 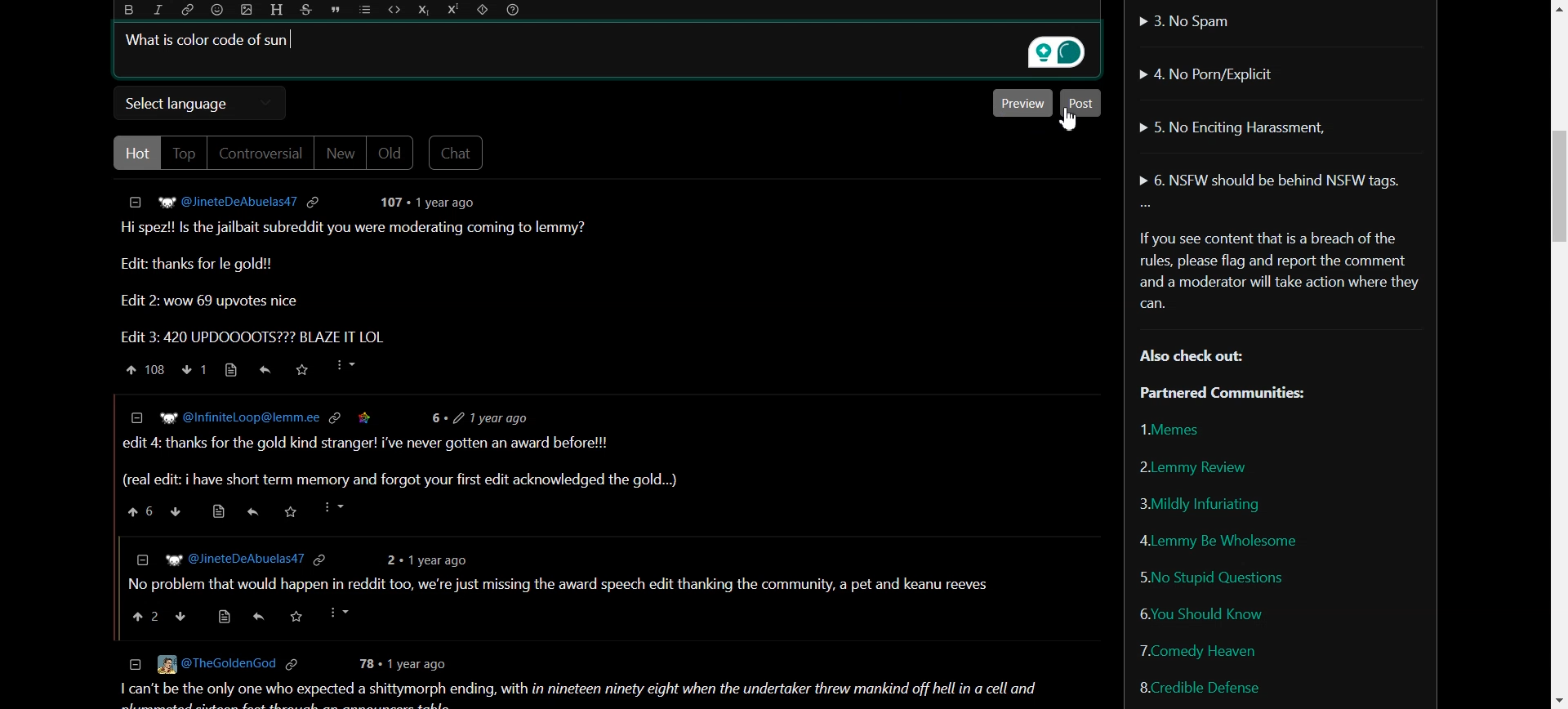 What do you see at coordinates (135, 153) in the screenshot?
I see `Hot` at bounding box center [135, 153].